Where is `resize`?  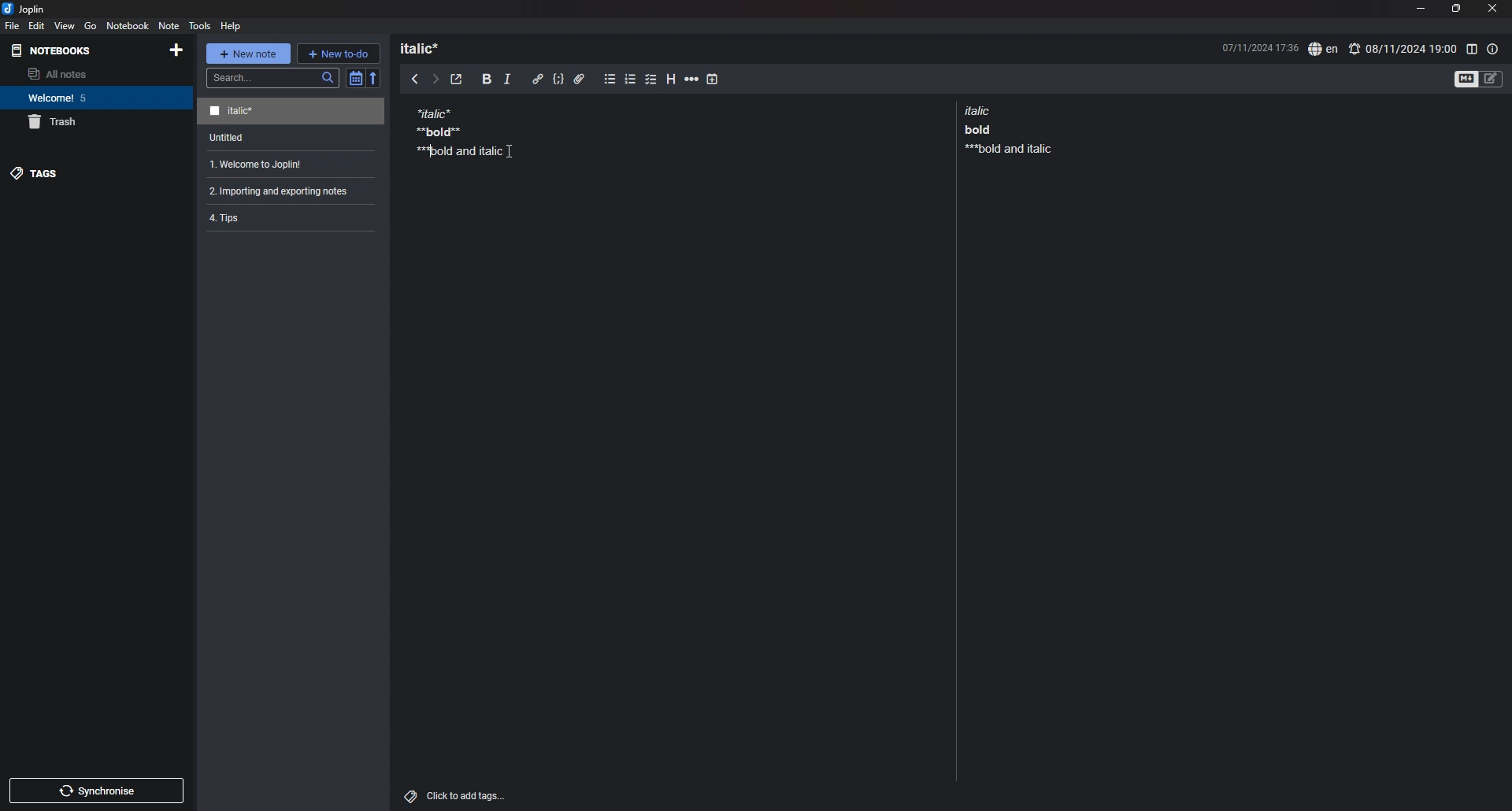 resize is located at coordinates (1455, 9).